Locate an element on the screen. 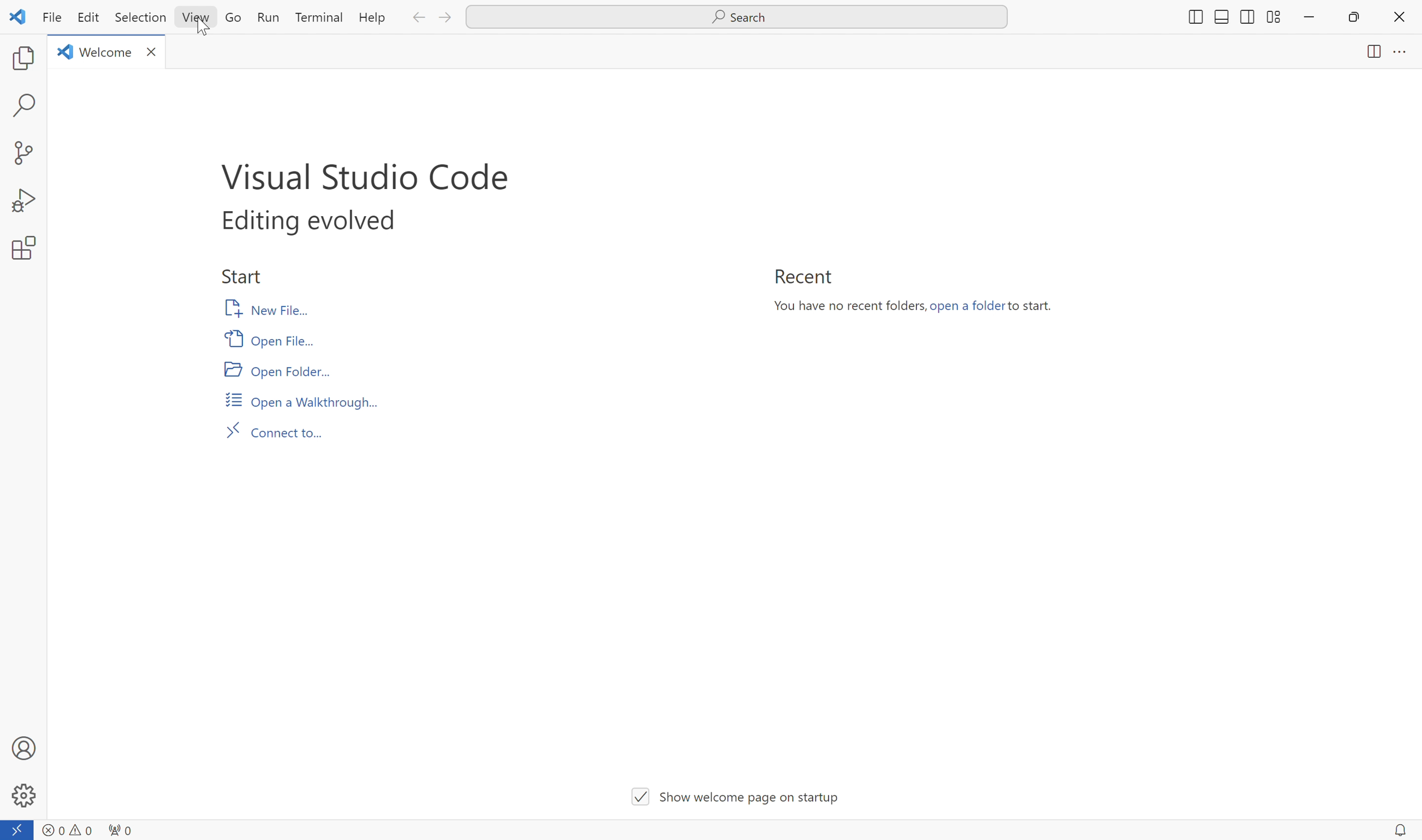  No ports forwarded is located at coordinates (121, 829).